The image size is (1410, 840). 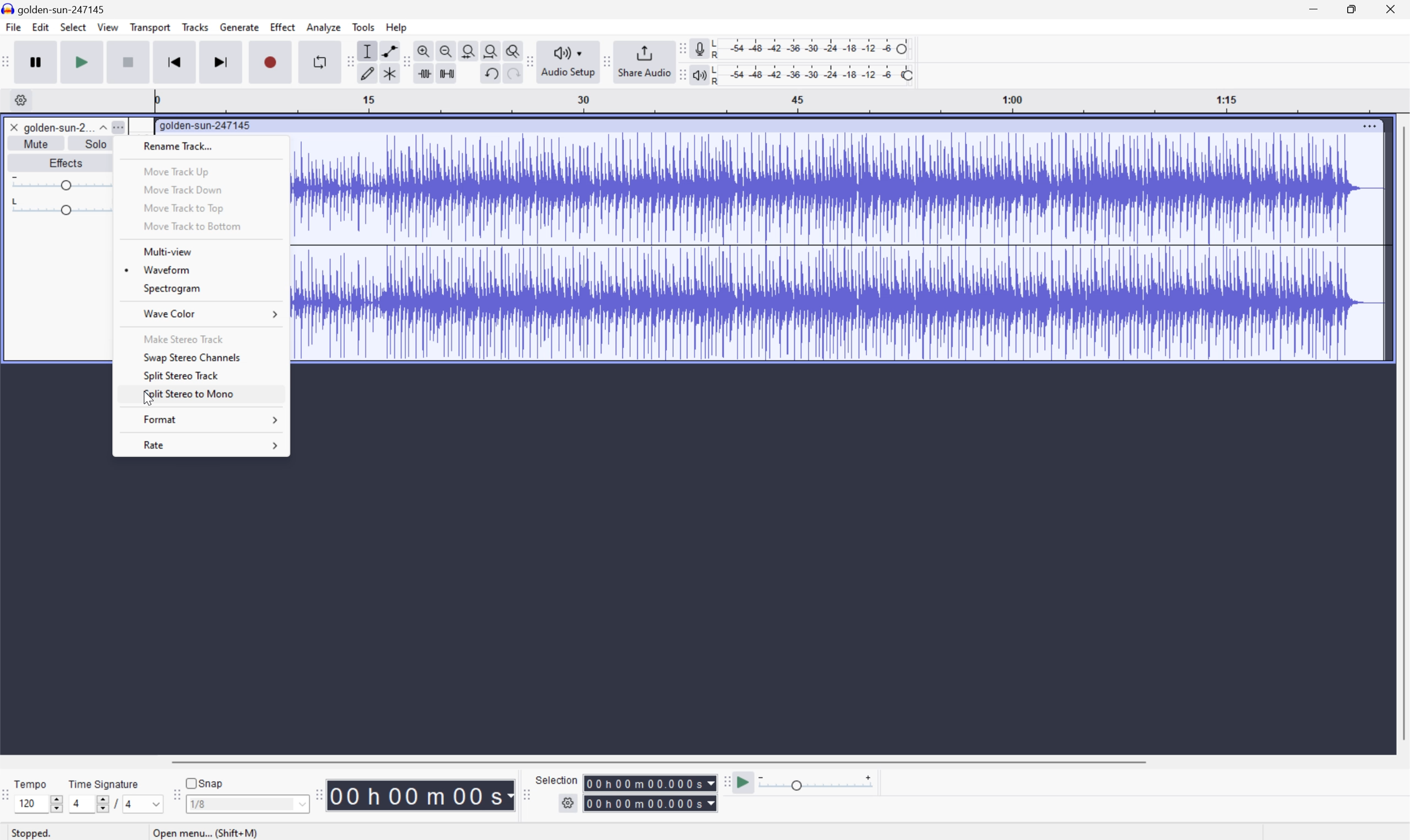 What do you see at coordinates (170, 313) in the screenshot?
I see `Wave color` at bounding box center [170, 313].